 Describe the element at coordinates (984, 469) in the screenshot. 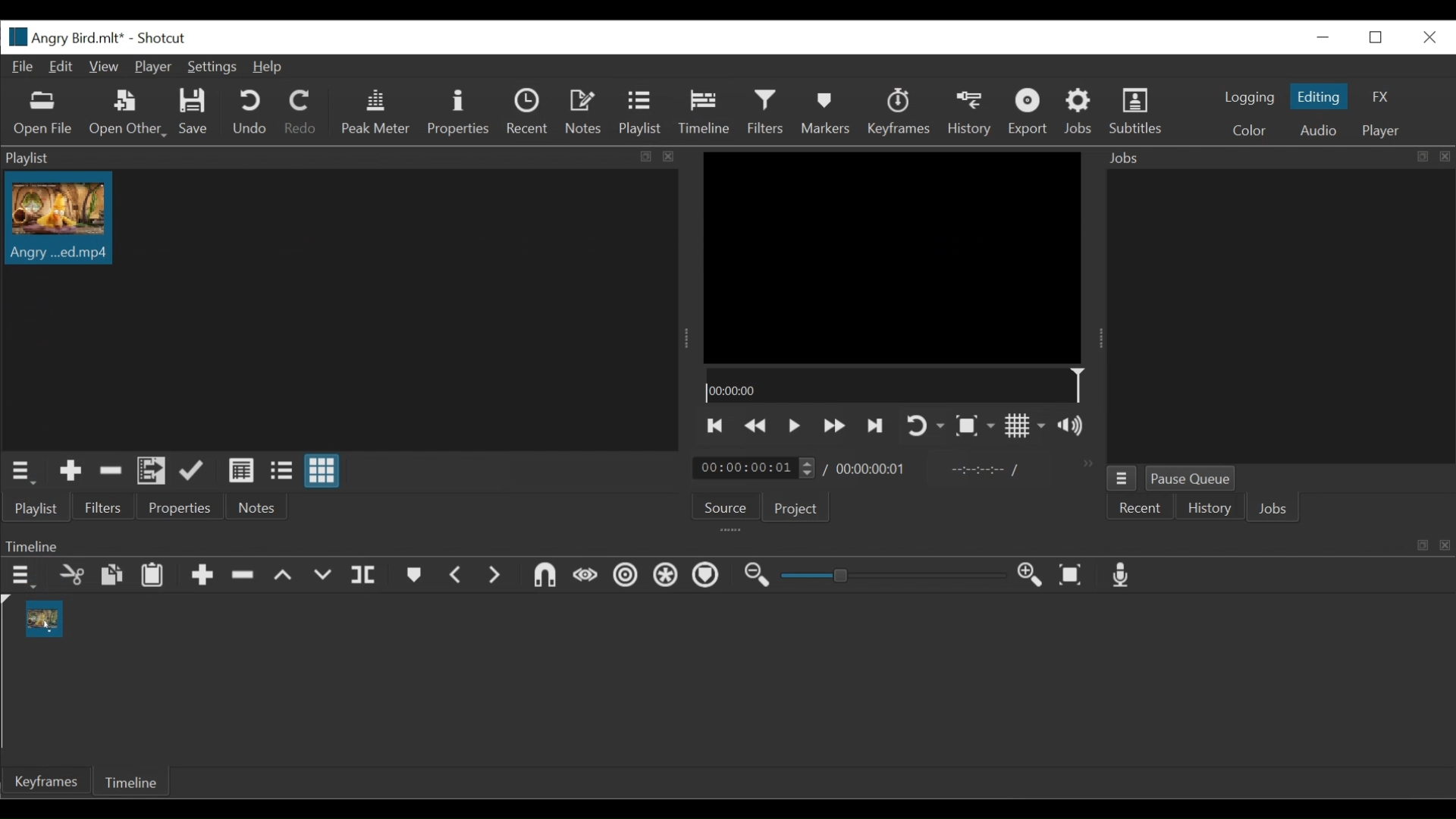

I see `In point` at that location.